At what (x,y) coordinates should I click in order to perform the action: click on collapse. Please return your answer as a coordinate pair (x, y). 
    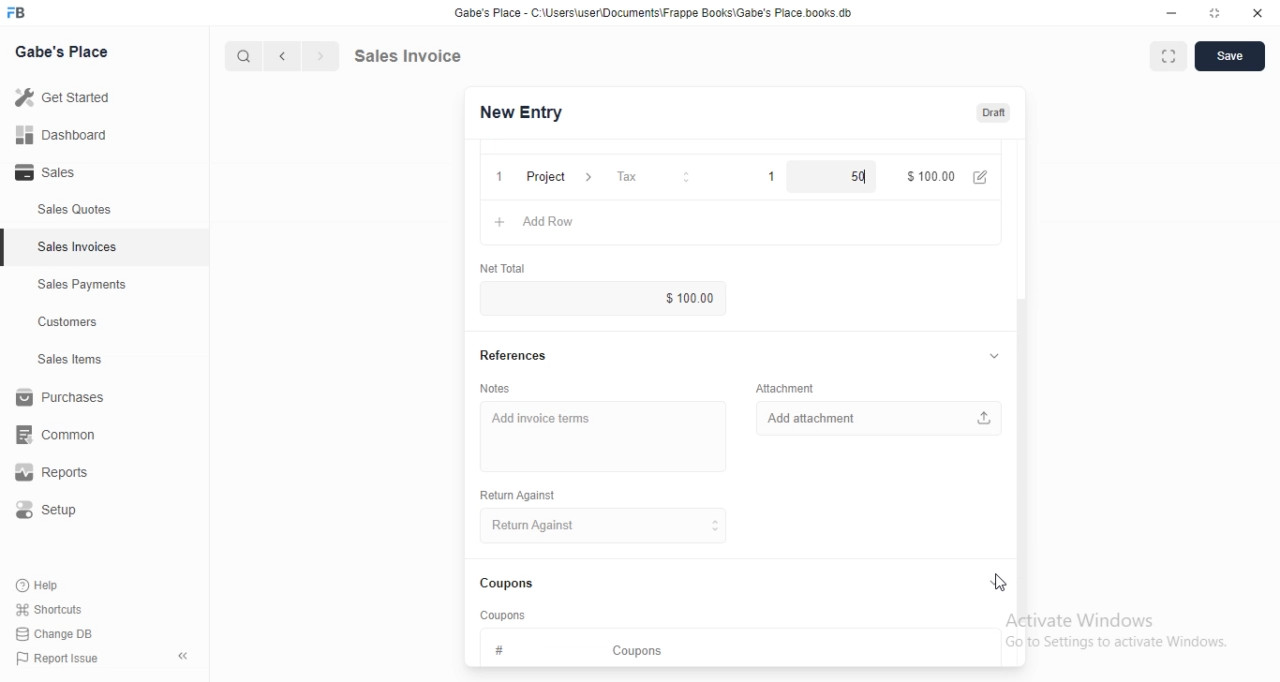
    Looking at the image, I should click on (185, 656).